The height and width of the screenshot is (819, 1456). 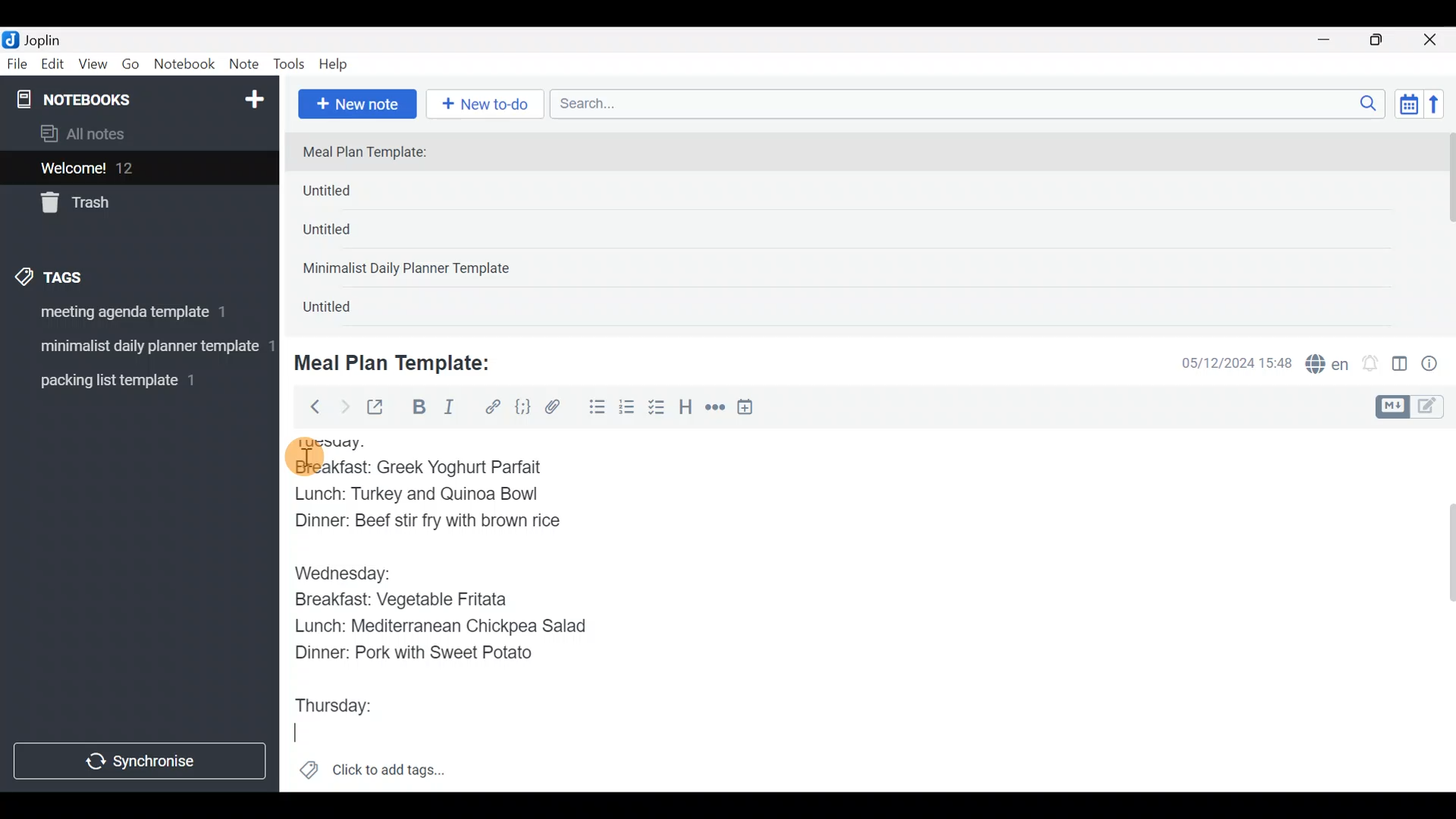 I want to click on Untitled, so click(x=344, y=310).